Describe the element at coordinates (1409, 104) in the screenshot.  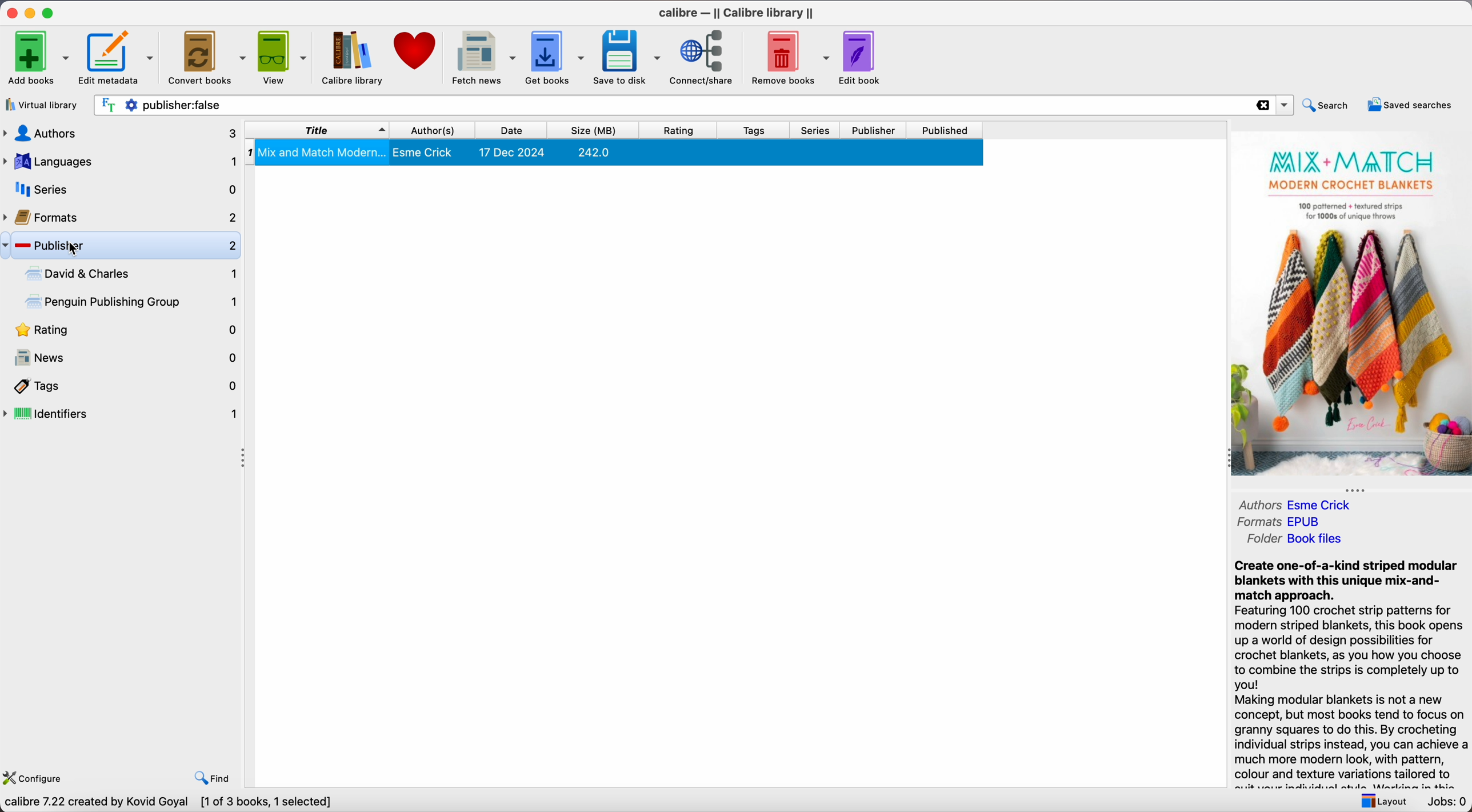
I see `saved searches` at that location.